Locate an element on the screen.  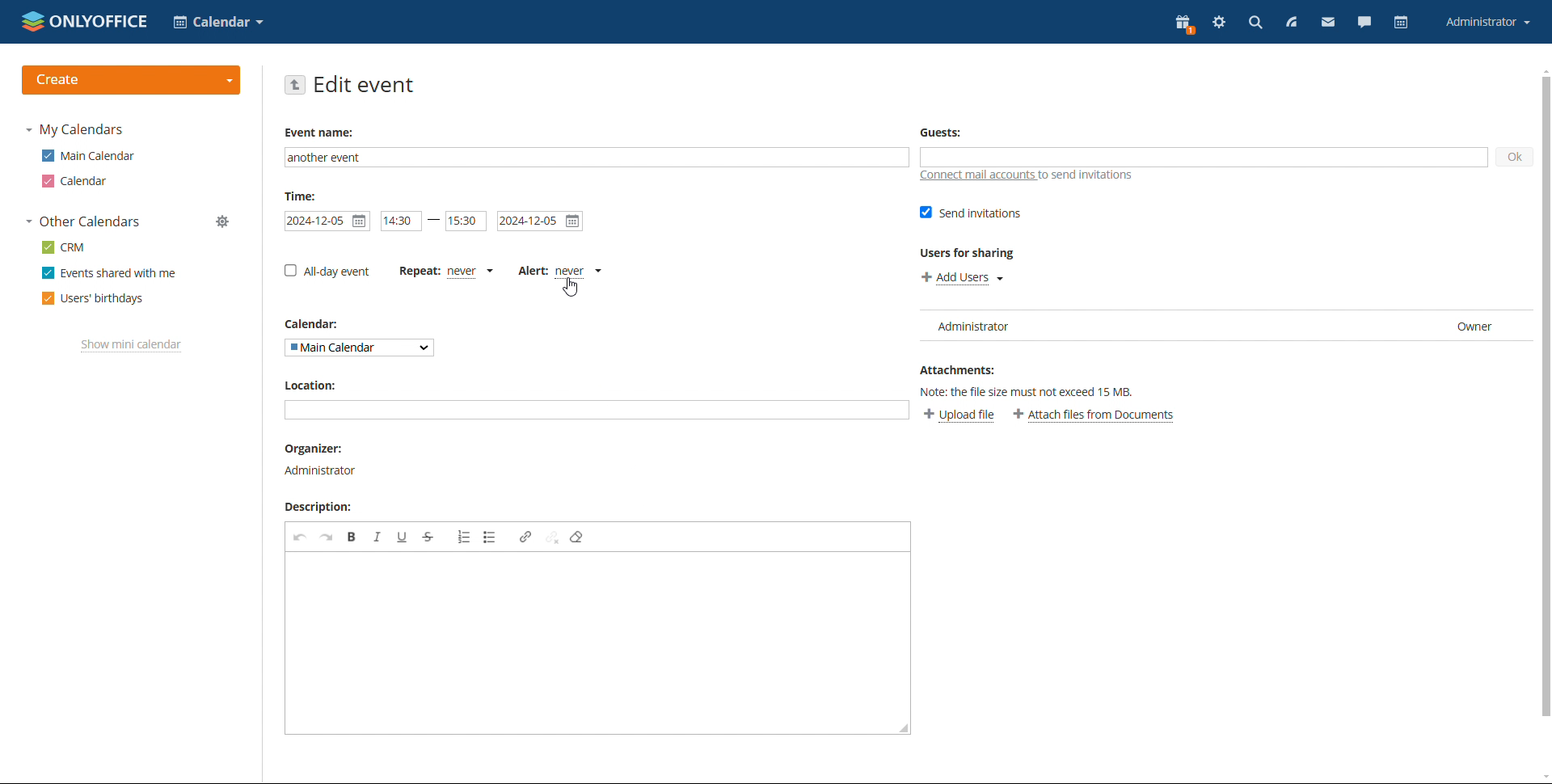
scrollbar is located at coordinates (1546, 395).